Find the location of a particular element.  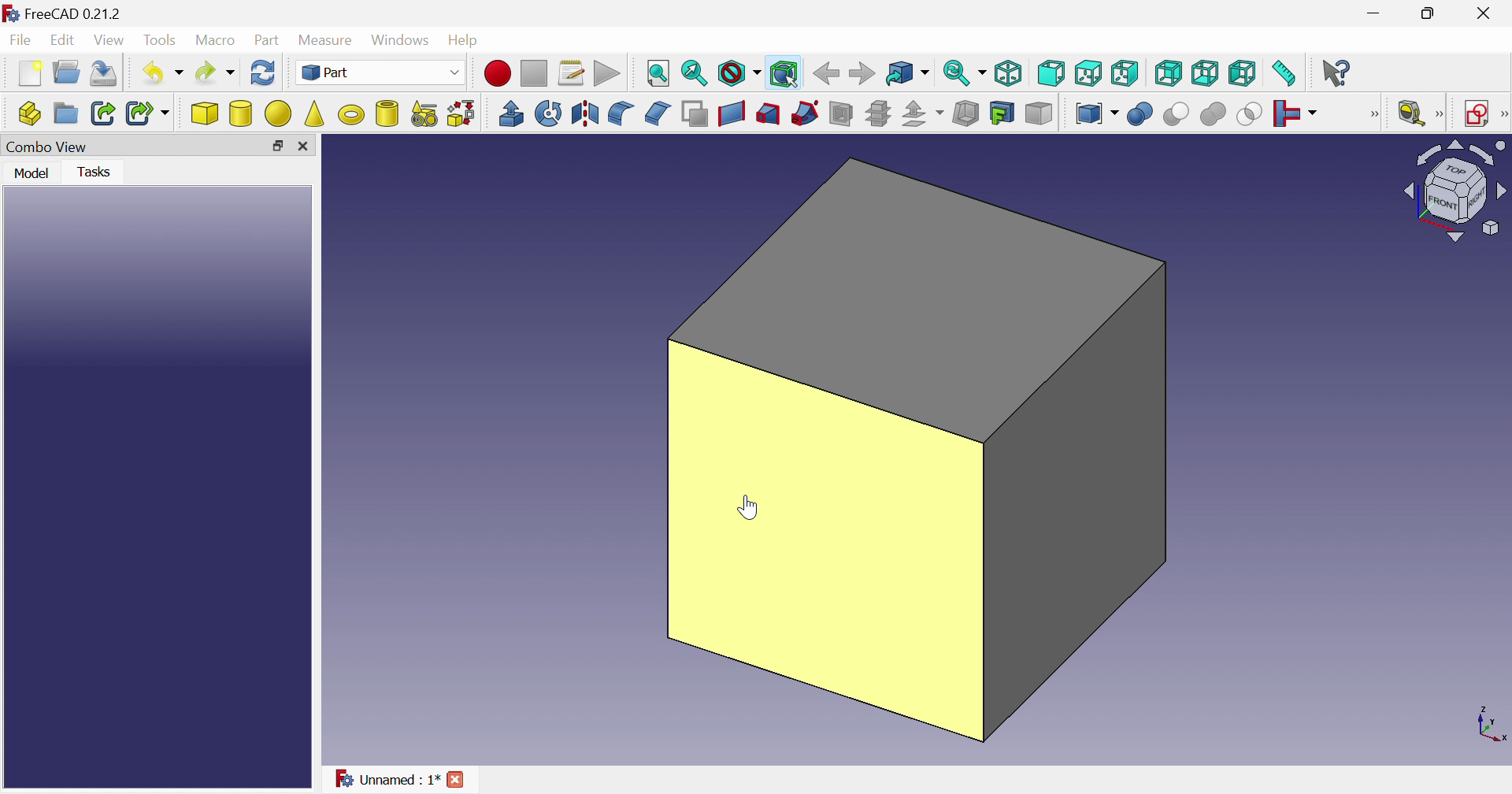

Boolean  is located at coordinates (1140, 114).